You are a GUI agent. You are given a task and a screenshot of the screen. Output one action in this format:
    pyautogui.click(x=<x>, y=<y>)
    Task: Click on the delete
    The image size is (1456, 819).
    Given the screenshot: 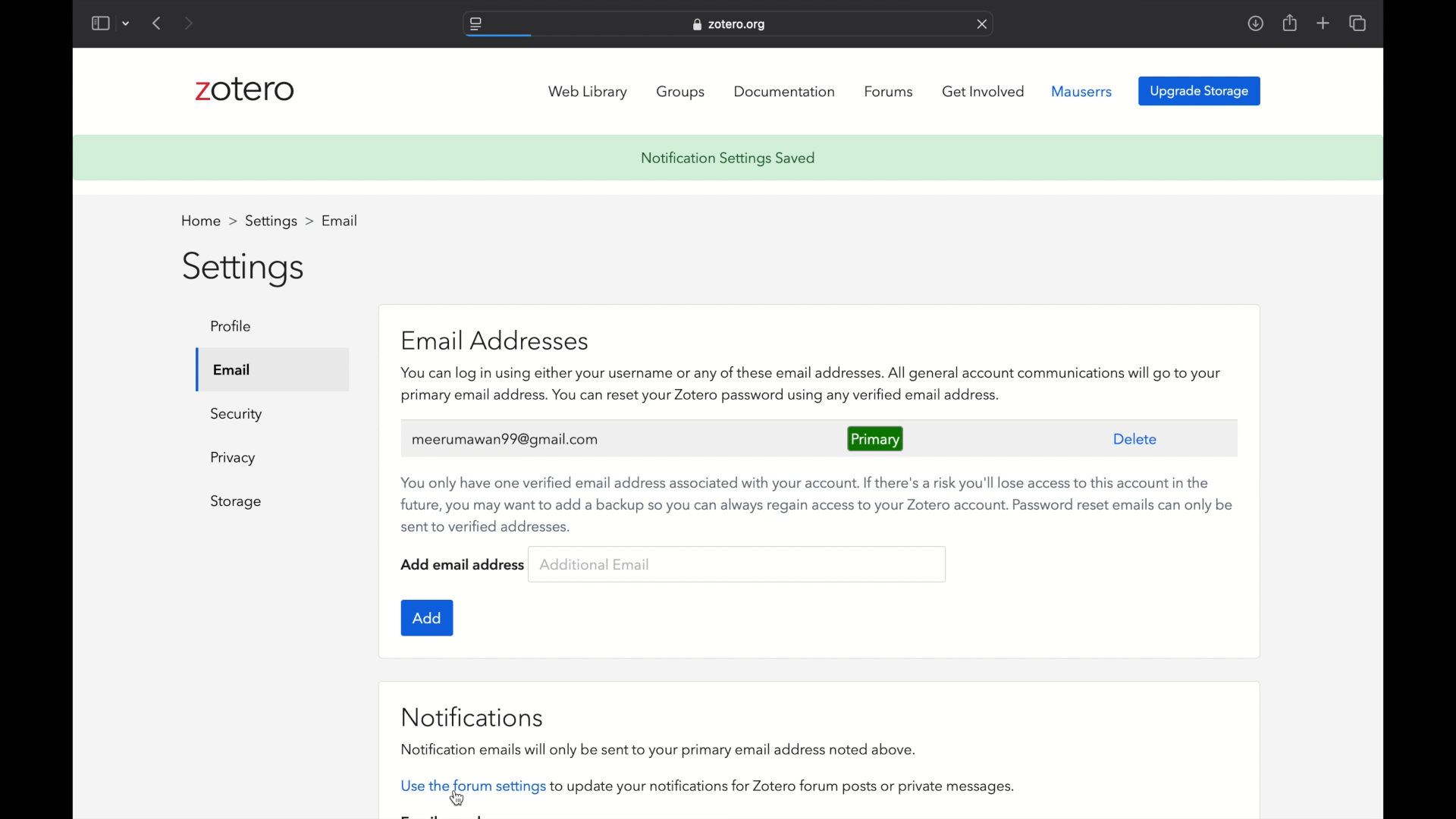 What is the action you would take?
    pyautogui.click(x=1134, y=440)
    